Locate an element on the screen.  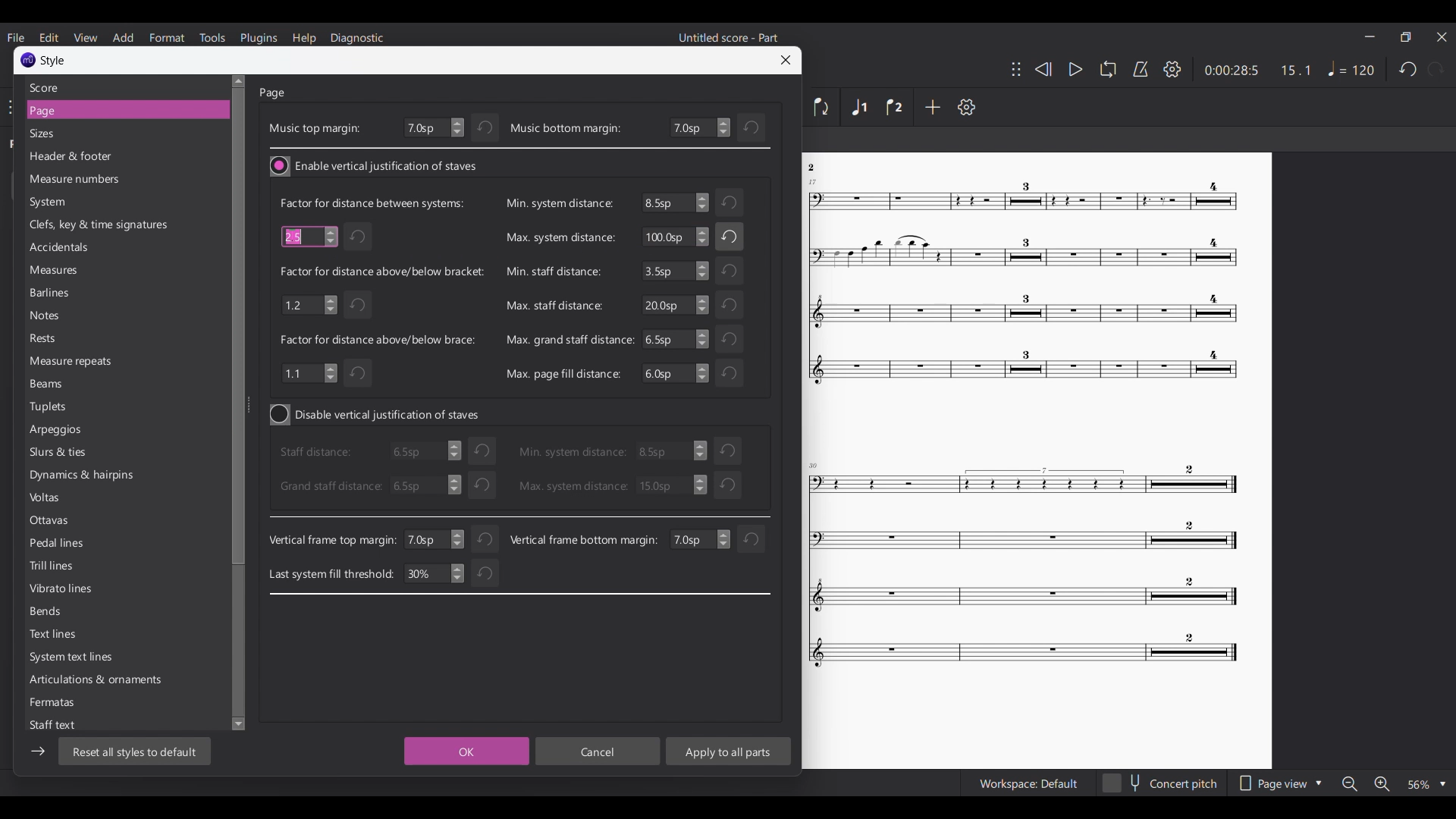
change value is located at coordinates (699, 539).